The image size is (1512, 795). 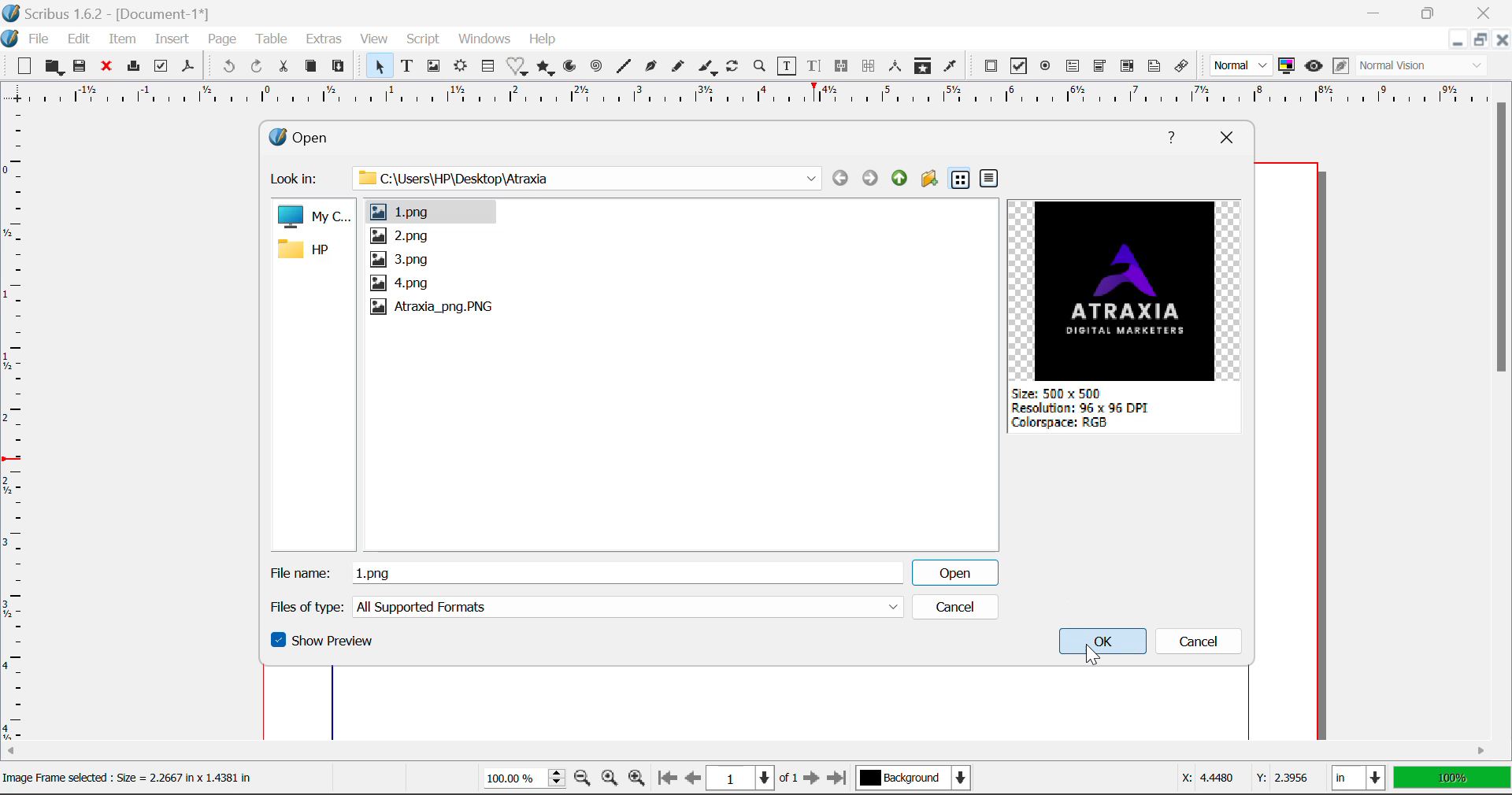 I want to click on Text Annotation, so click(x=1153, y=67).